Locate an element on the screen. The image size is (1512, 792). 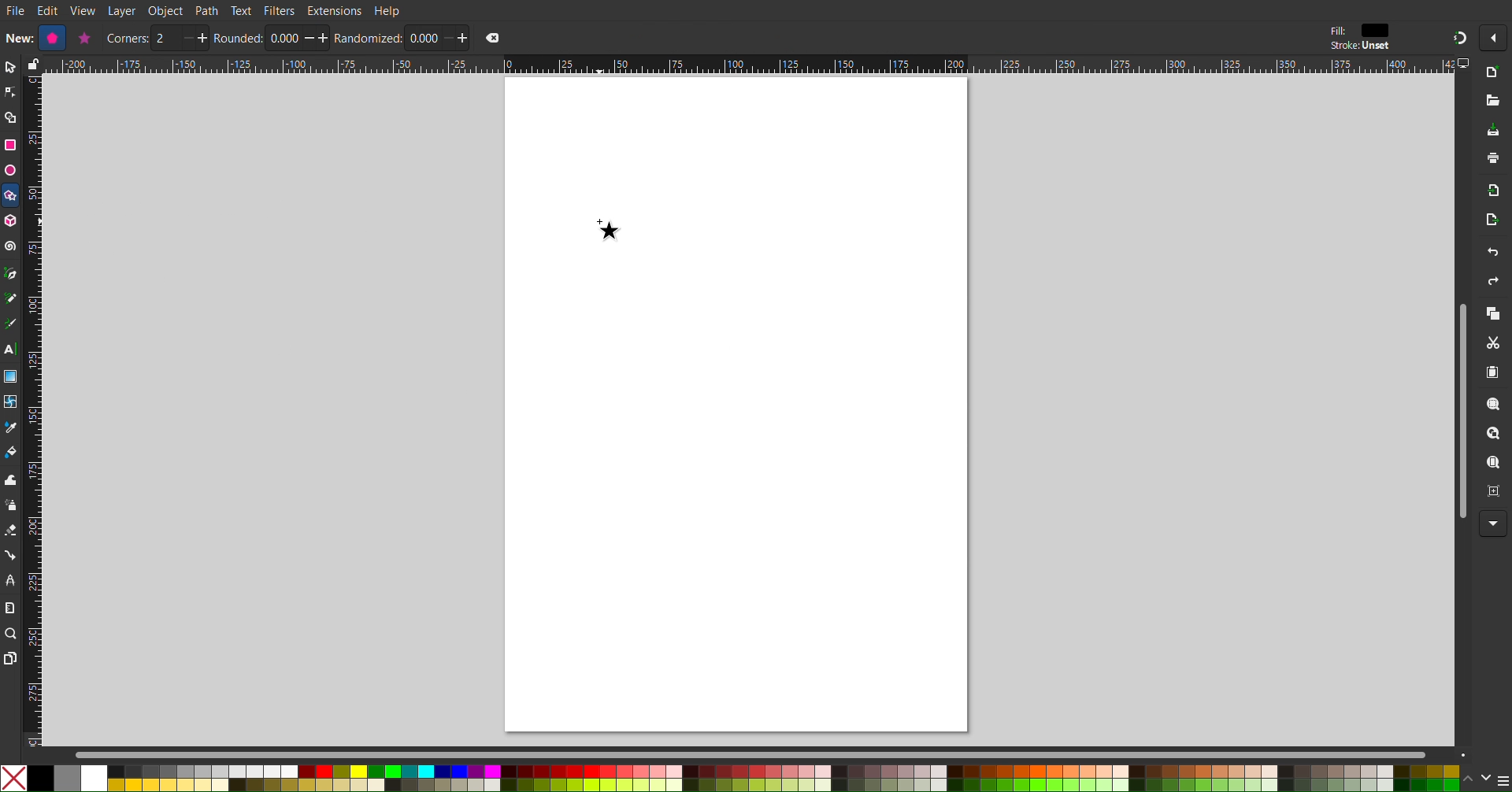
computer icon is located at coordinates (1466, 64).